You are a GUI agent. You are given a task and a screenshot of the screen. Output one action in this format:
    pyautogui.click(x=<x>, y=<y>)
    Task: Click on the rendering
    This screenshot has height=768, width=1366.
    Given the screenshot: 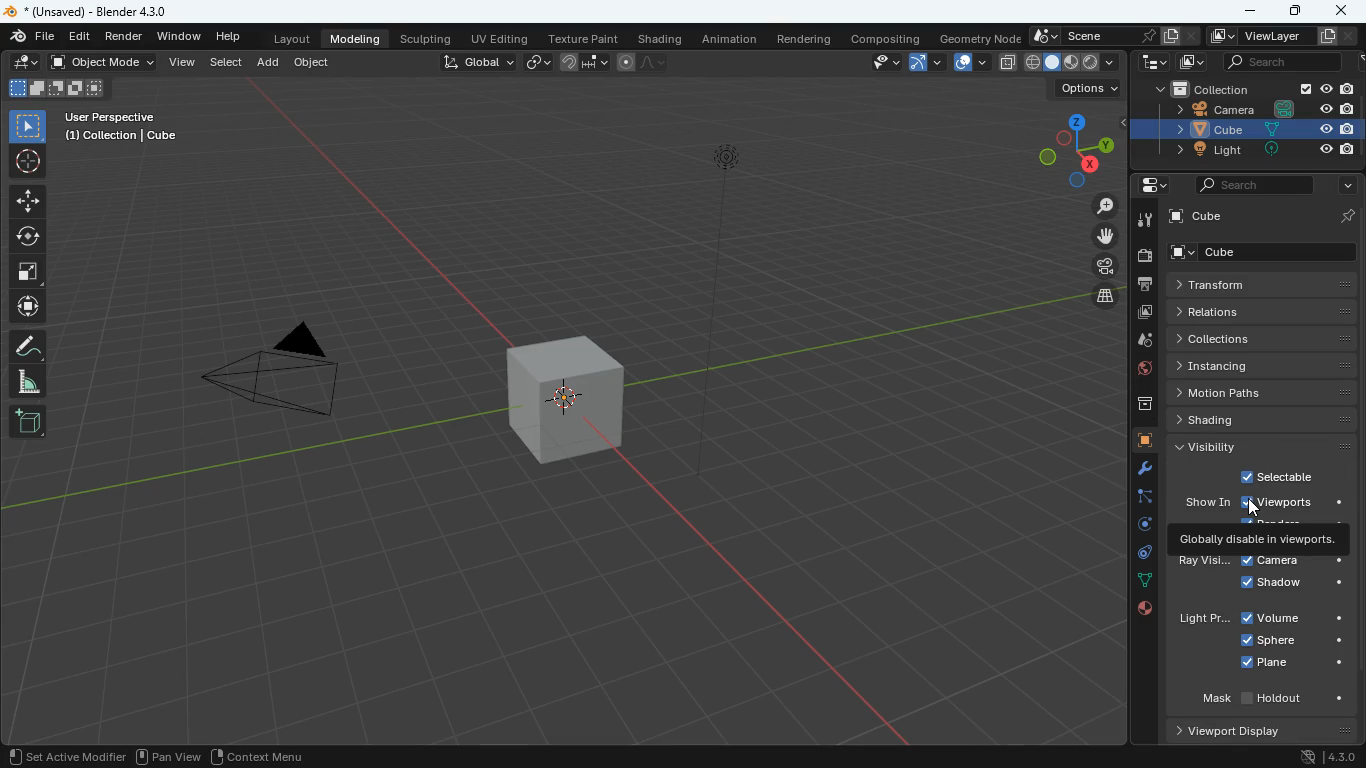 What is the action you would take?
    pyautogui.click(x=808, y=39)
    